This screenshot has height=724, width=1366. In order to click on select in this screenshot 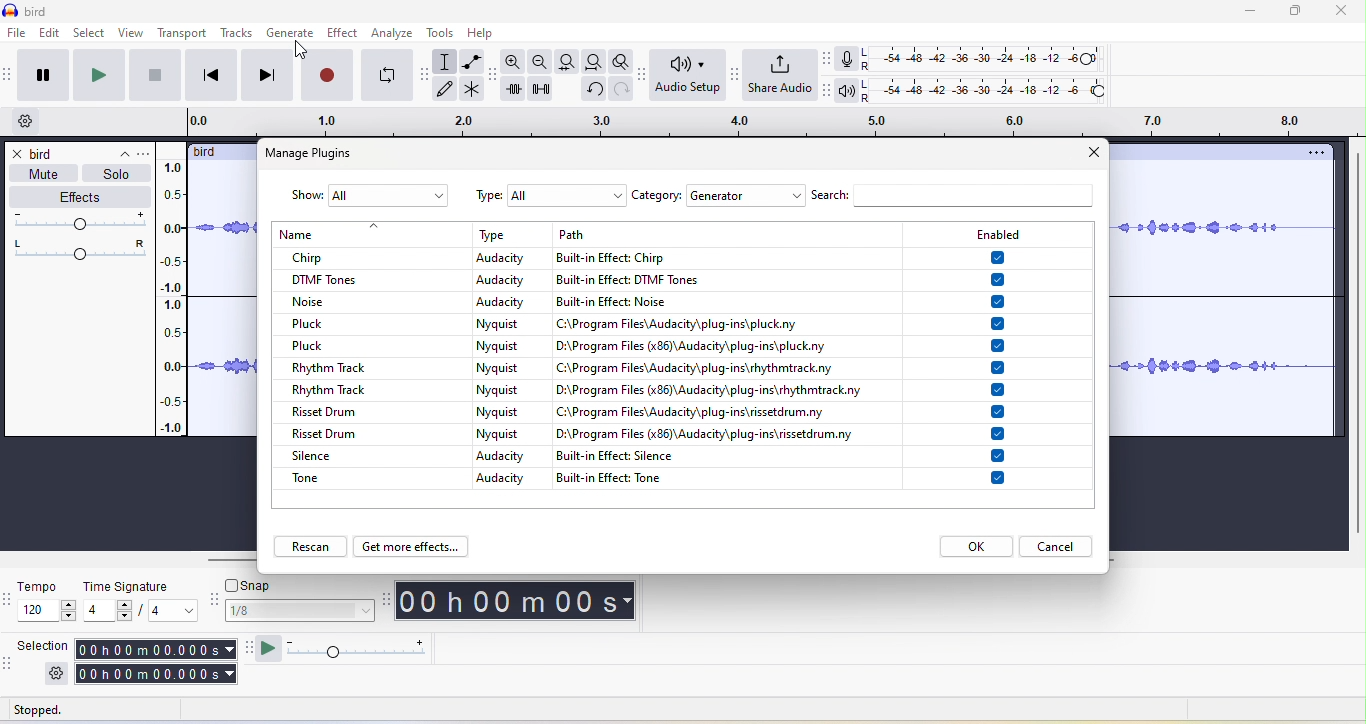, I will do `click(92, 35)`.